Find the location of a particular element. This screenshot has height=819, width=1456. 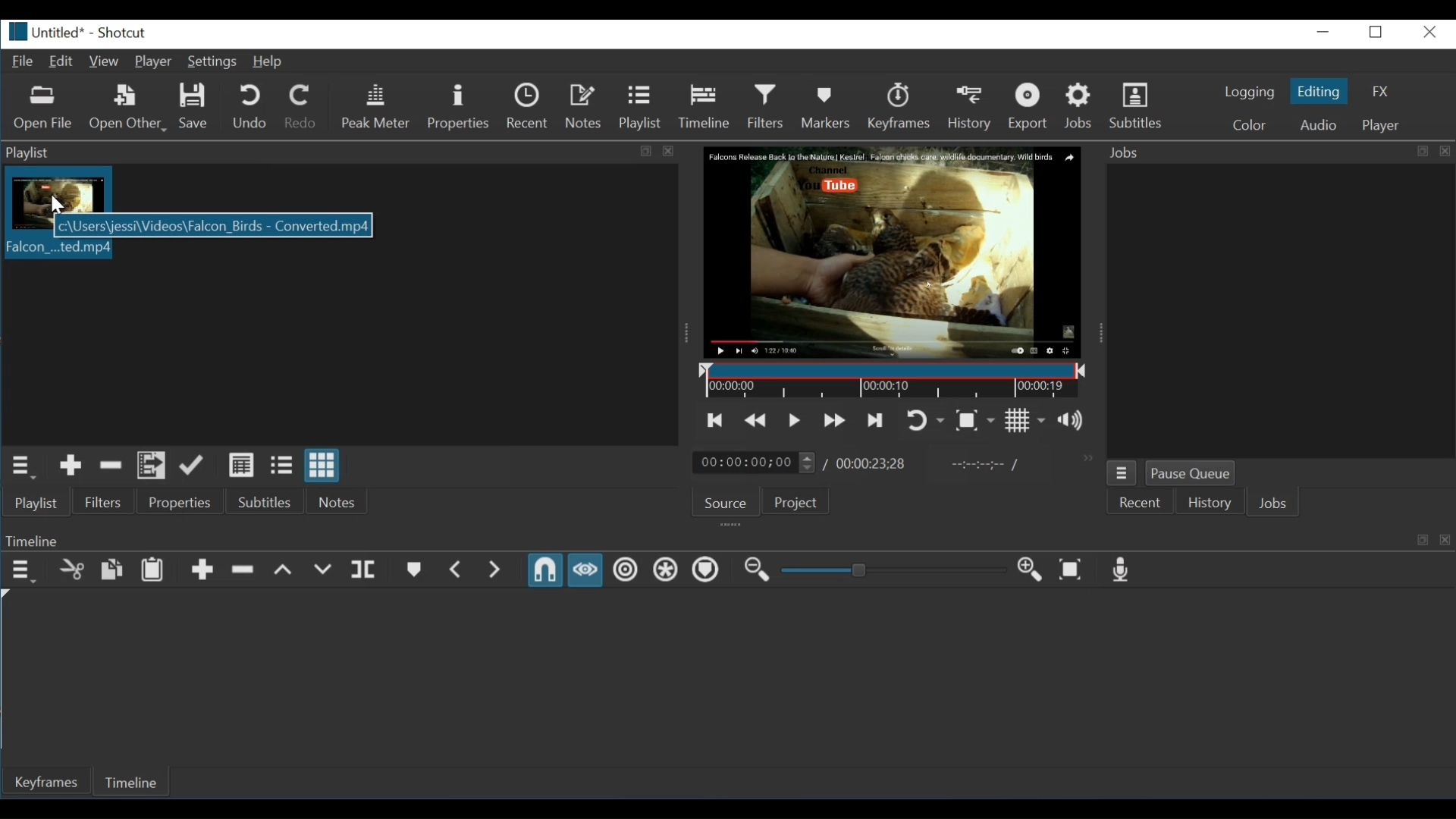

Jobs is located at coordinates (1272, 504).